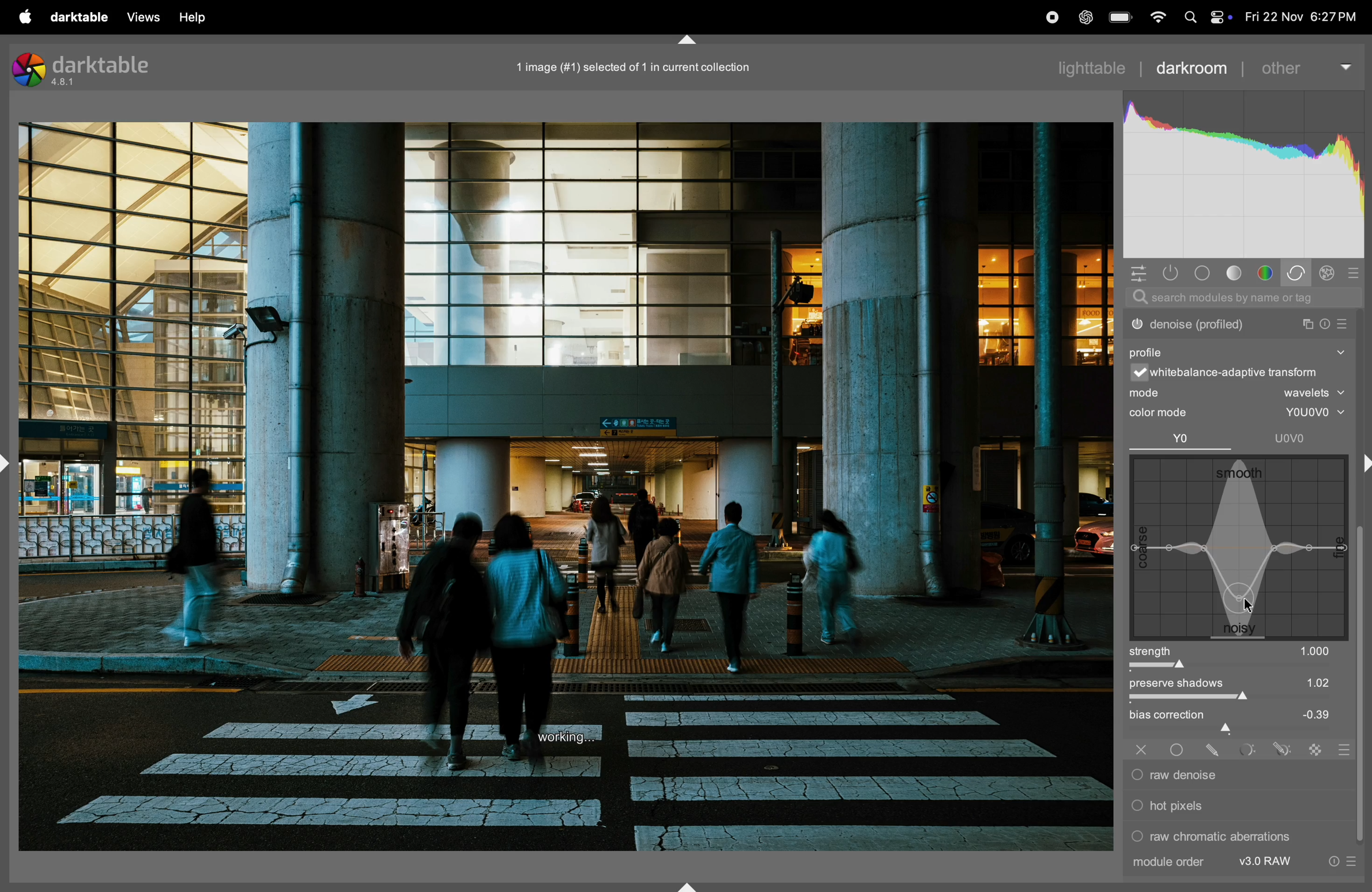 The image size is (1372, 892). What do you see at coordinates (1234, 721) in the screenshot?
I see `bias correctiom` at bounding box center [1234, 721].